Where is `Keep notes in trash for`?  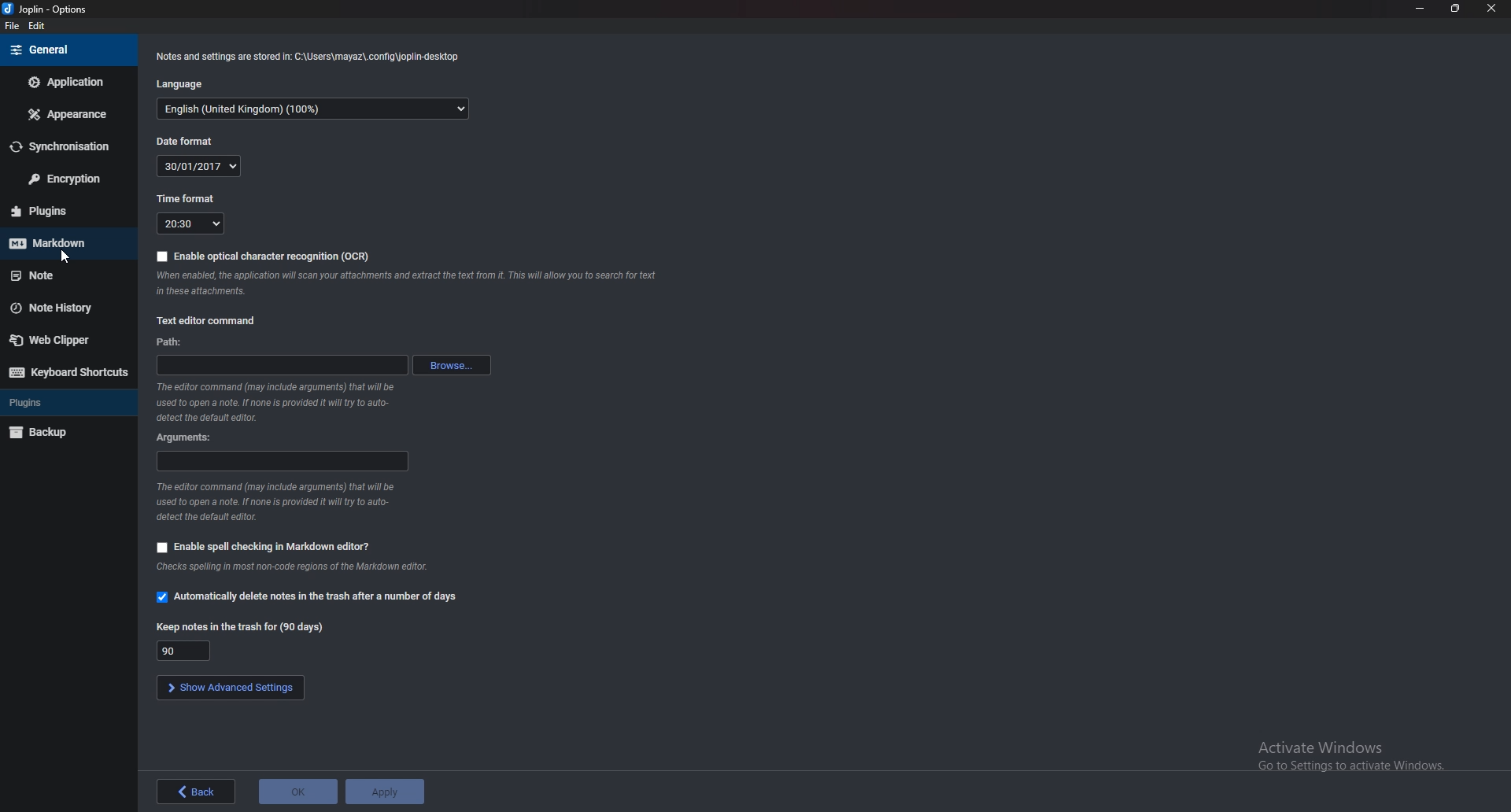
Keep notes in trash for is located at coordinates (192, 650).